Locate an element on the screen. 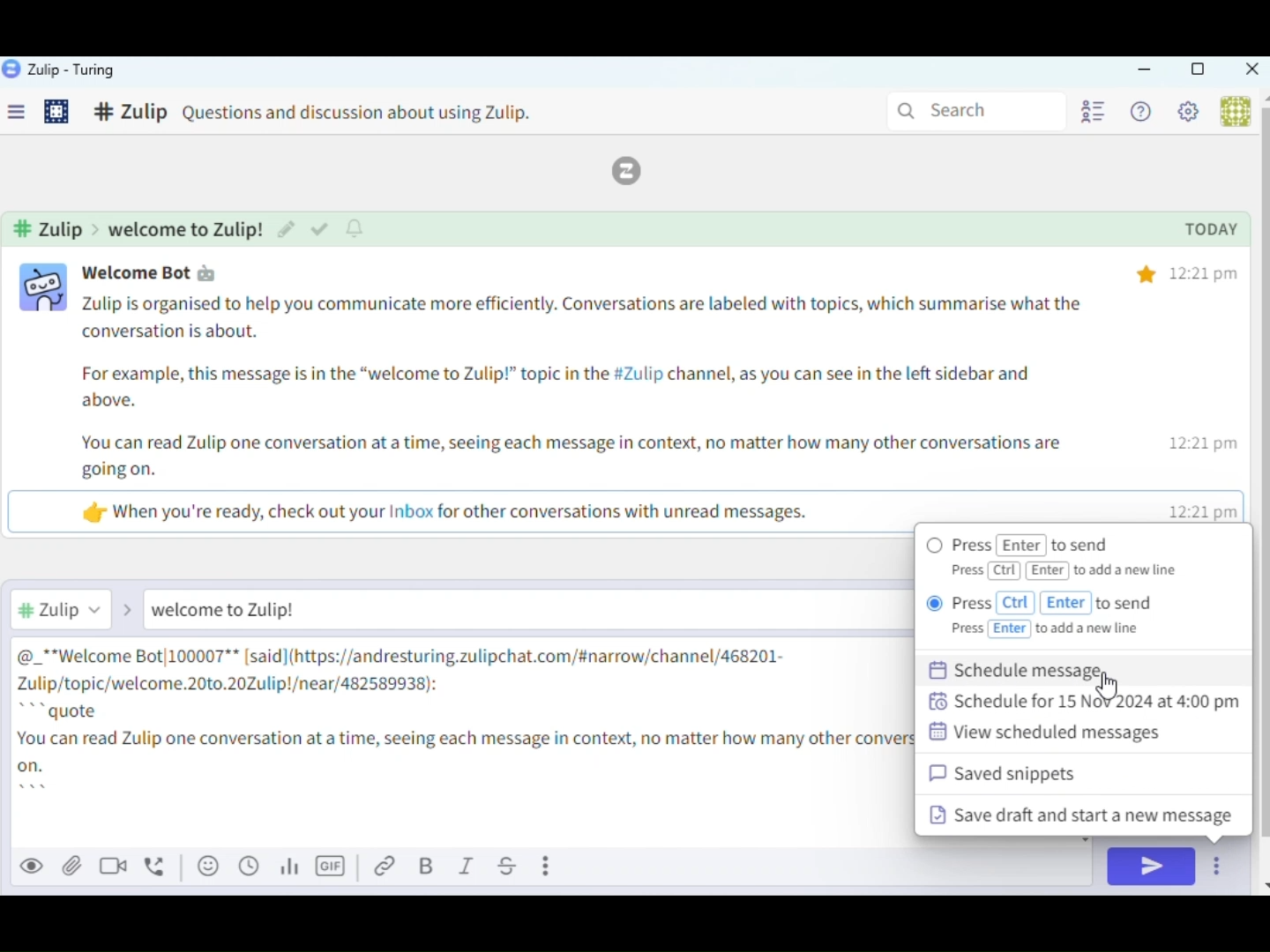 The image size is (1270, 952). Cursor is located at coordinates (1114, 683).